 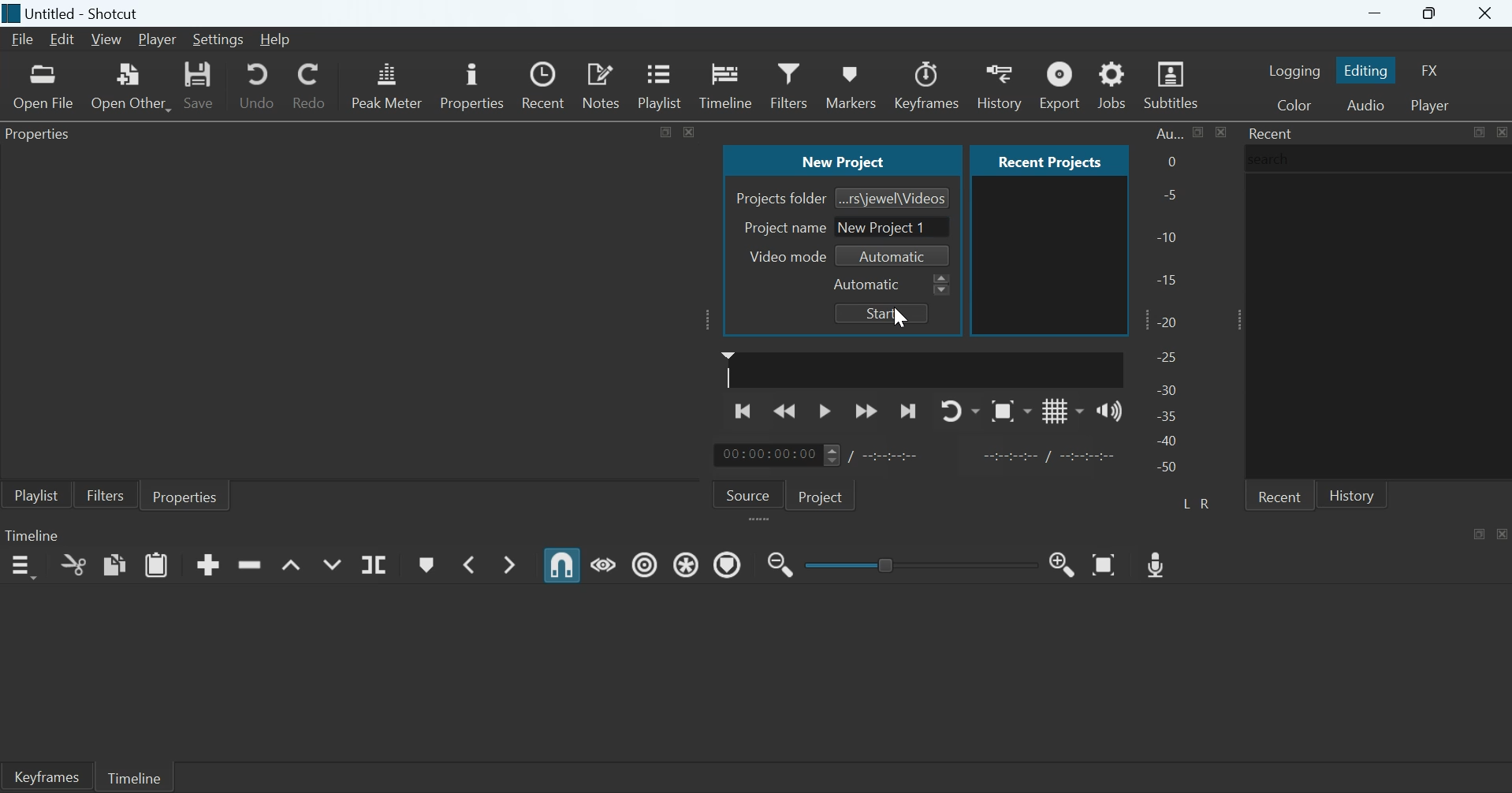 I want to click on Paste, so click(x=157, y=564).